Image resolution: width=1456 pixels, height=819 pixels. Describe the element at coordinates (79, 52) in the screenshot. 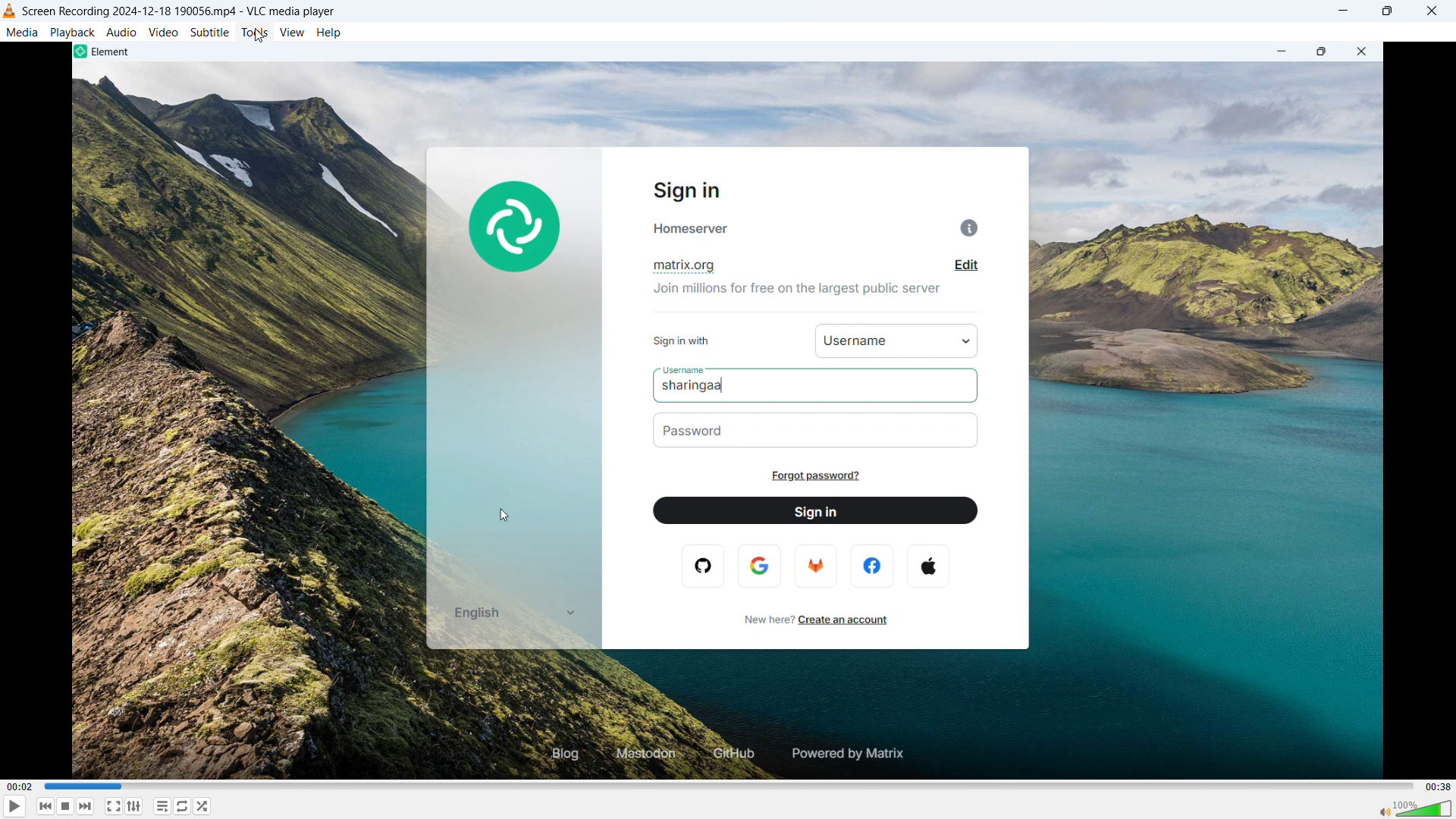

I see `element logo` at that location.